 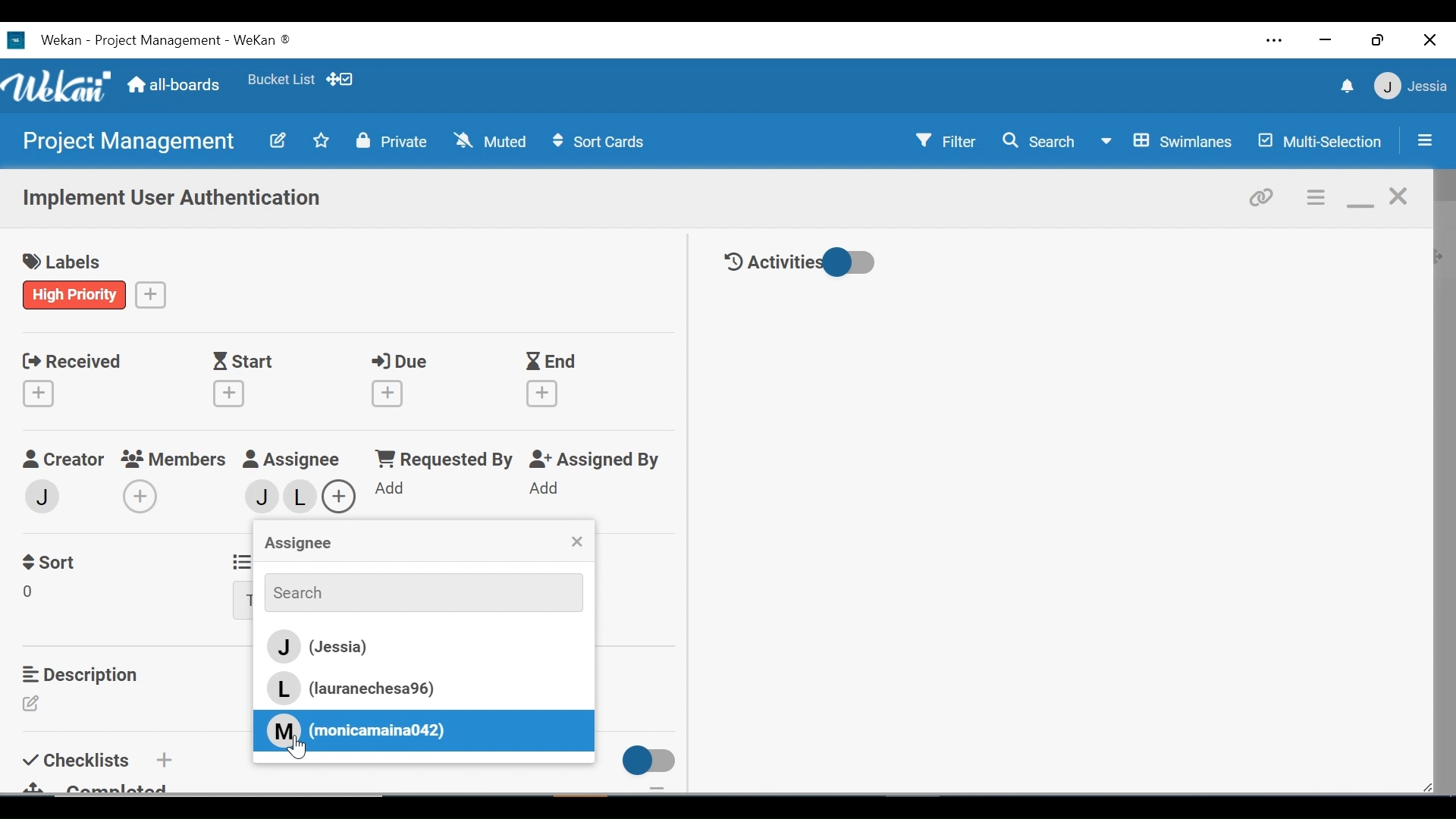 What do you see at coordinates (554, 362) in the screenshot?
I see `End Date` at bounding box center [554, 362].